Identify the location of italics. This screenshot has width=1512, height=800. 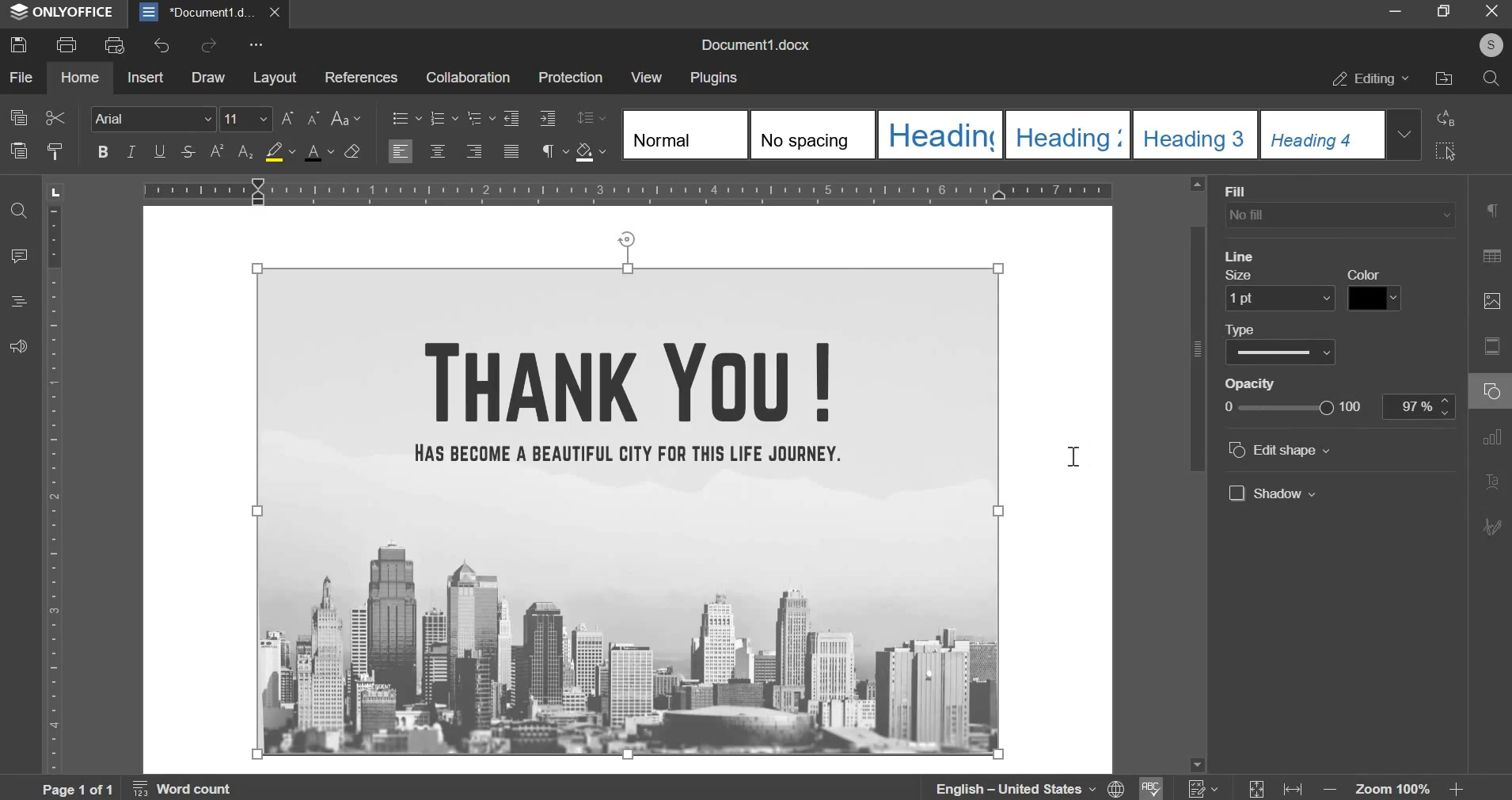
(131, 150).